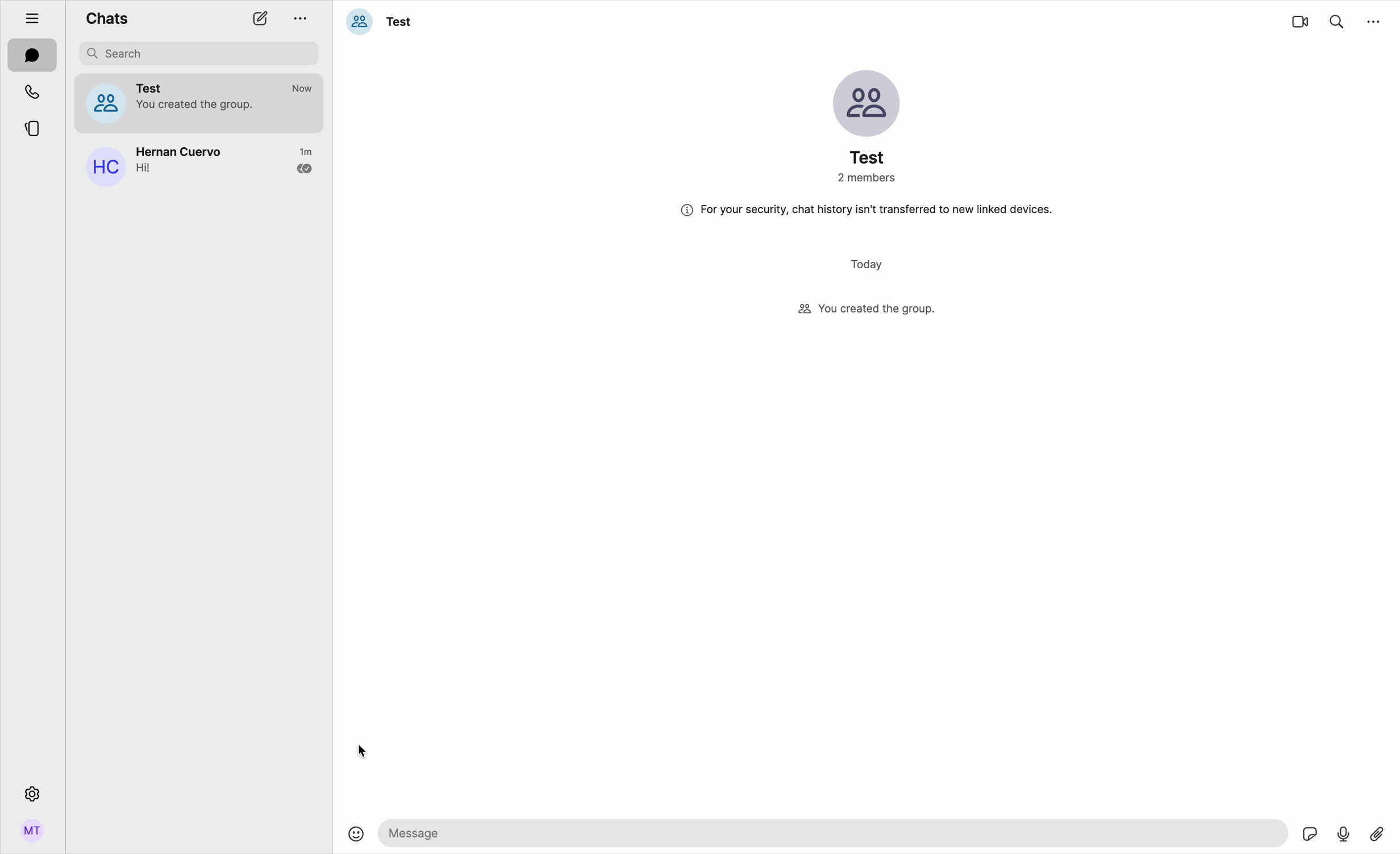  What do you see at coordinates (381, 20) in the screenshot?
I see `name of the group` at bounding box center [381, 20].